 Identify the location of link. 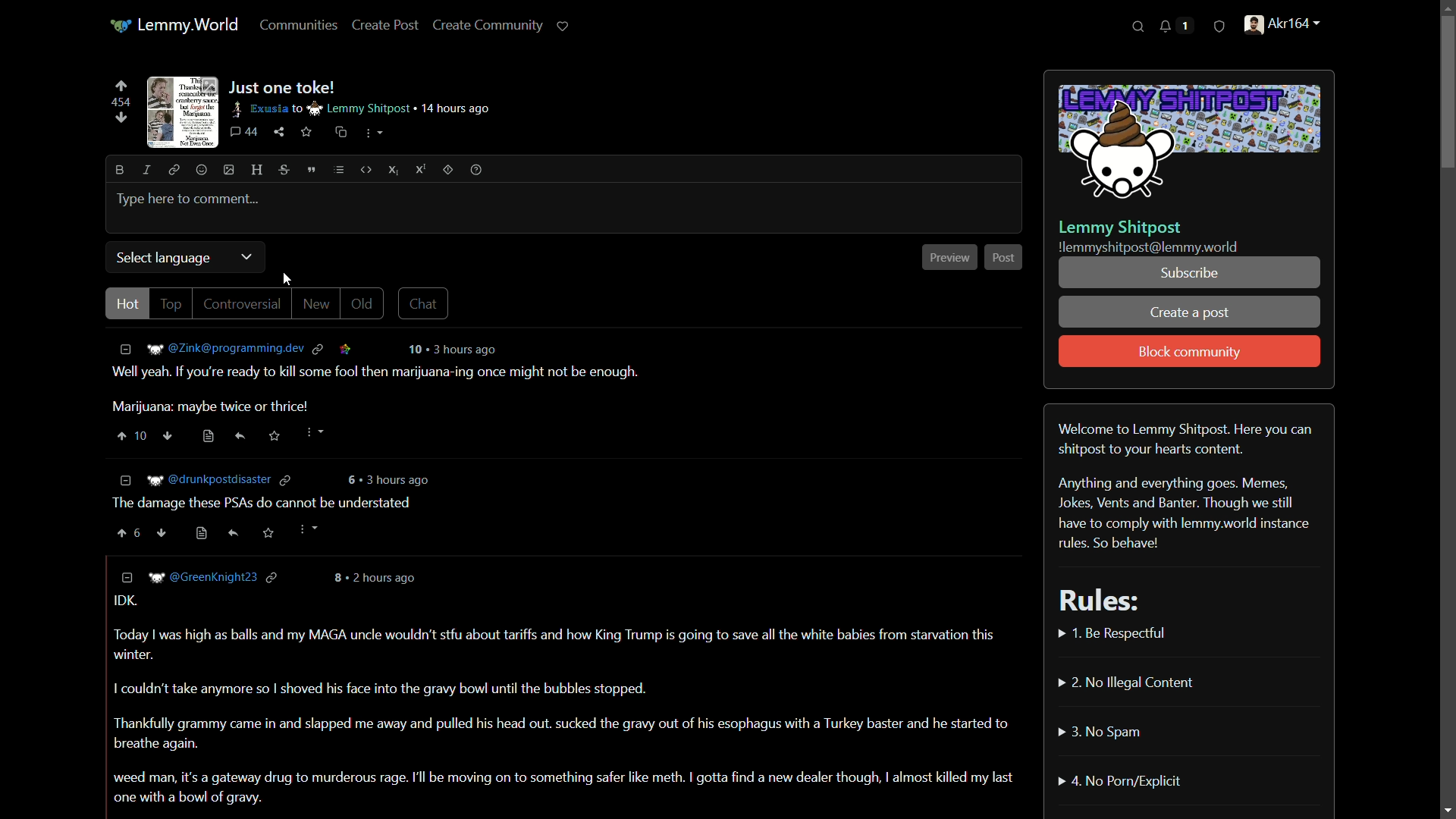
(347, 348).